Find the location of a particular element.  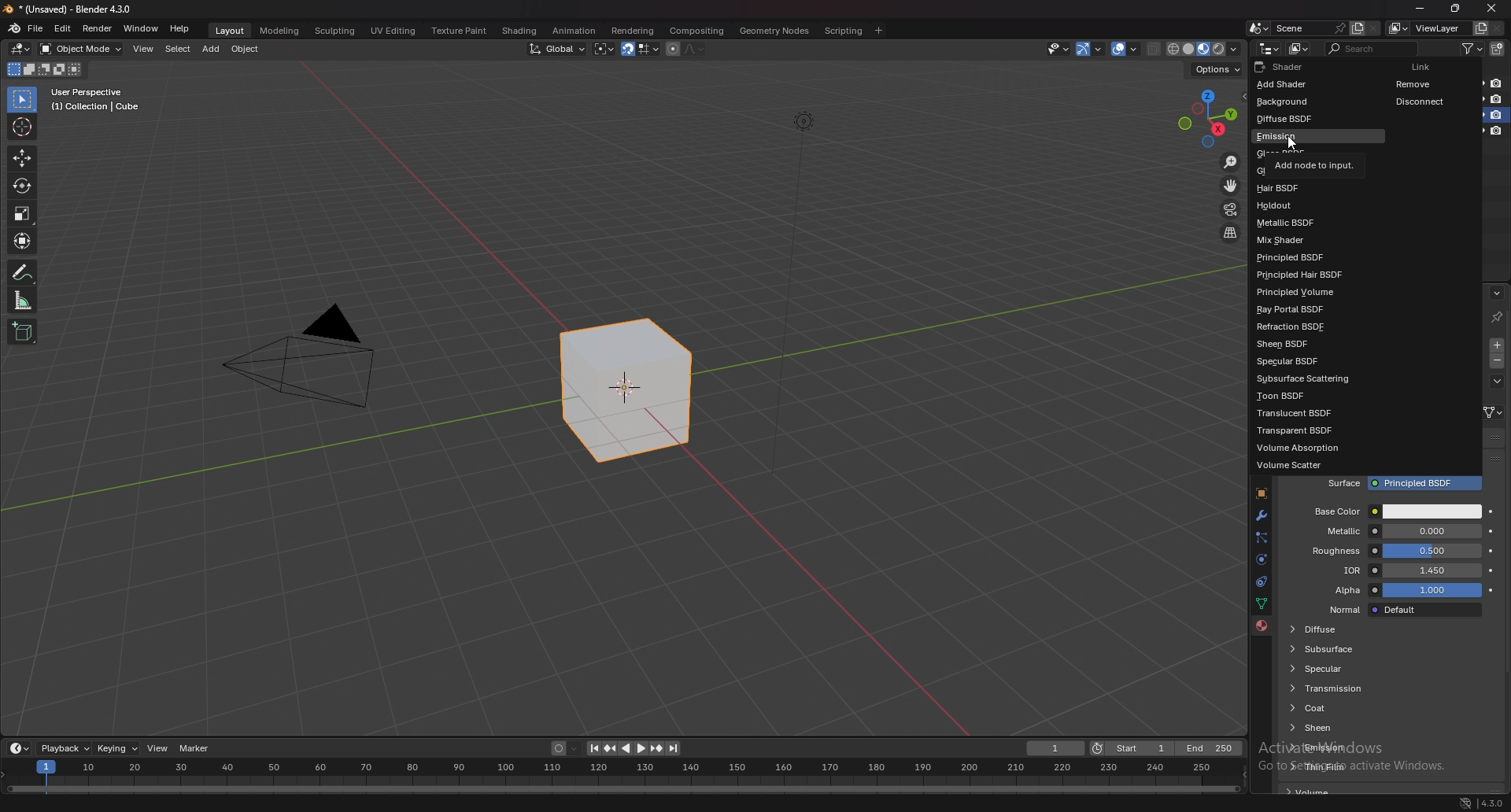

tooltip is located at coordinates (1394, 511).